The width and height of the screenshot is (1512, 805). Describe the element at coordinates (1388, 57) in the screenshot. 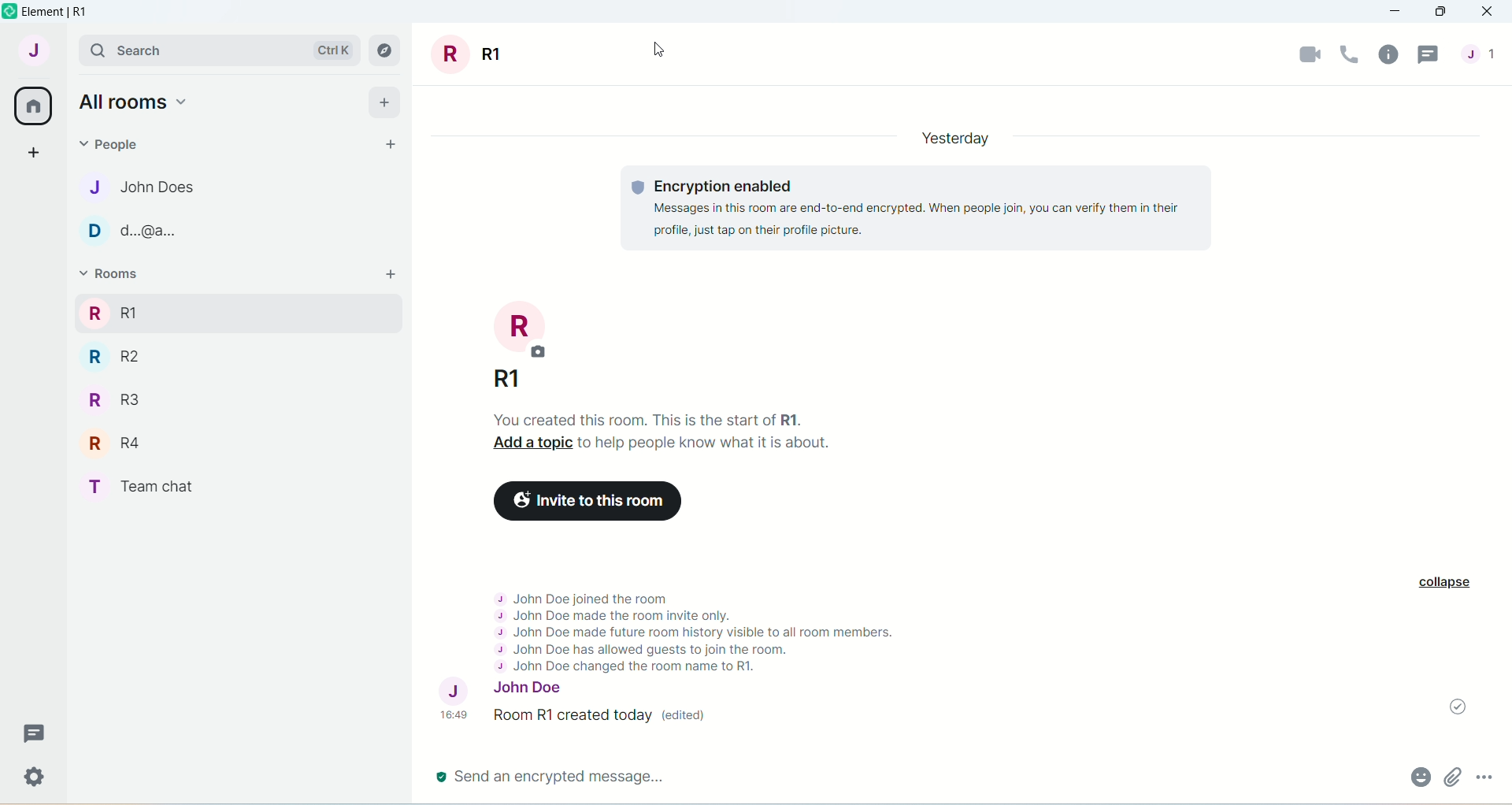

I see `room info` at that location.